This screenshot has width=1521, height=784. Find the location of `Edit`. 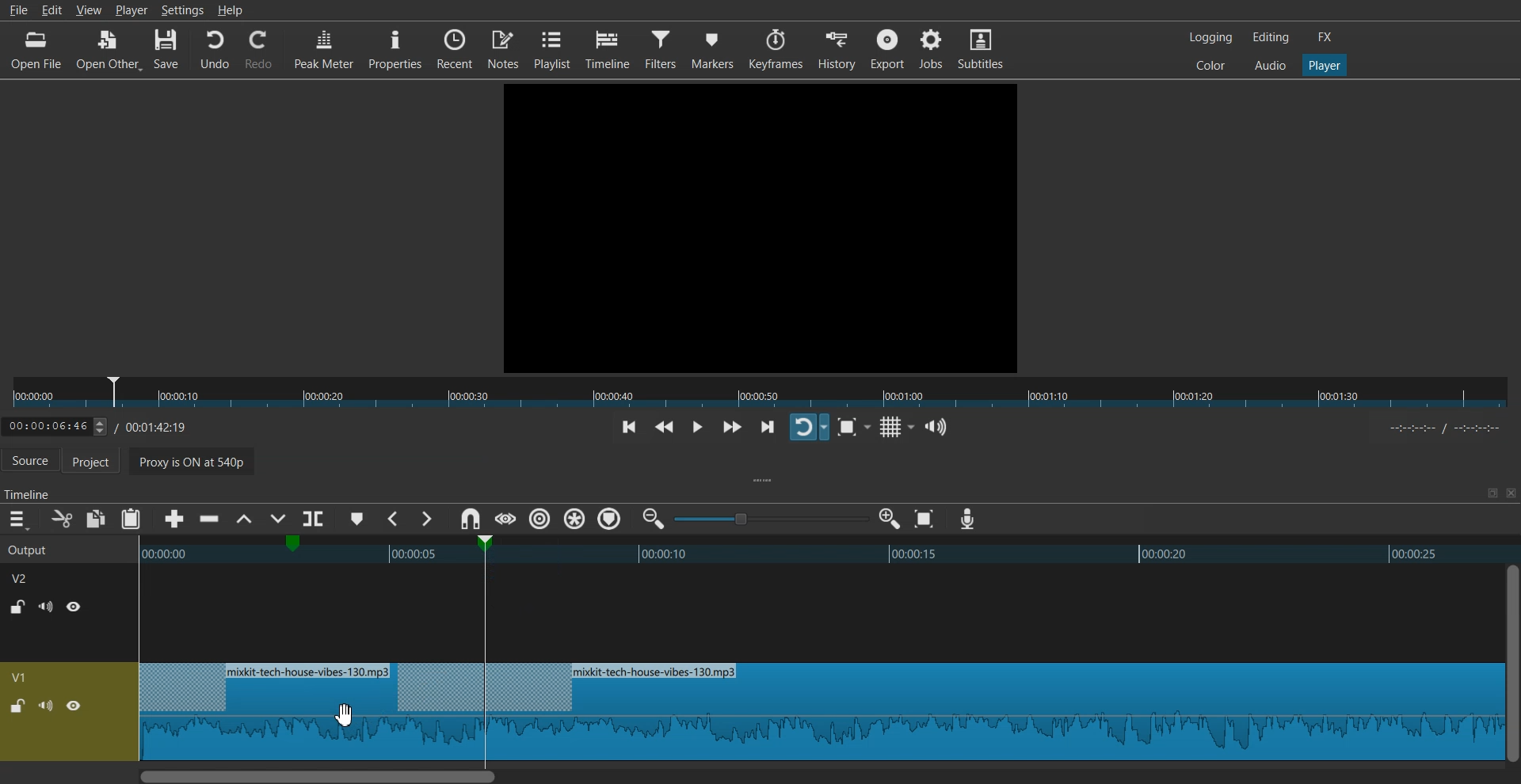

Edit is located at coordinates (55, 10).